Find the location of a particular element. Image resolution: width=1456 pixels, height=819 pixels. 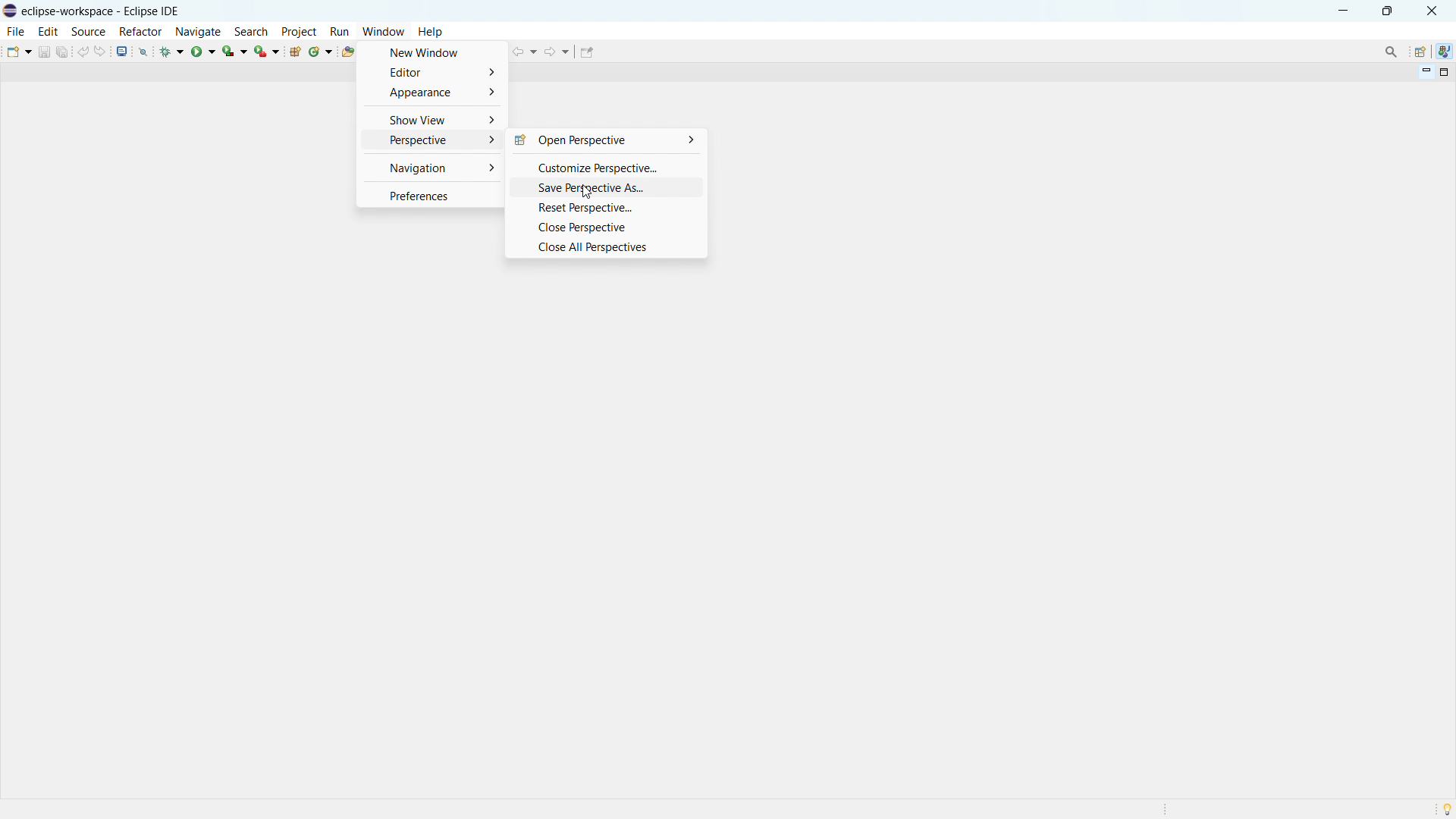

help is located at coordinates (431, 32).